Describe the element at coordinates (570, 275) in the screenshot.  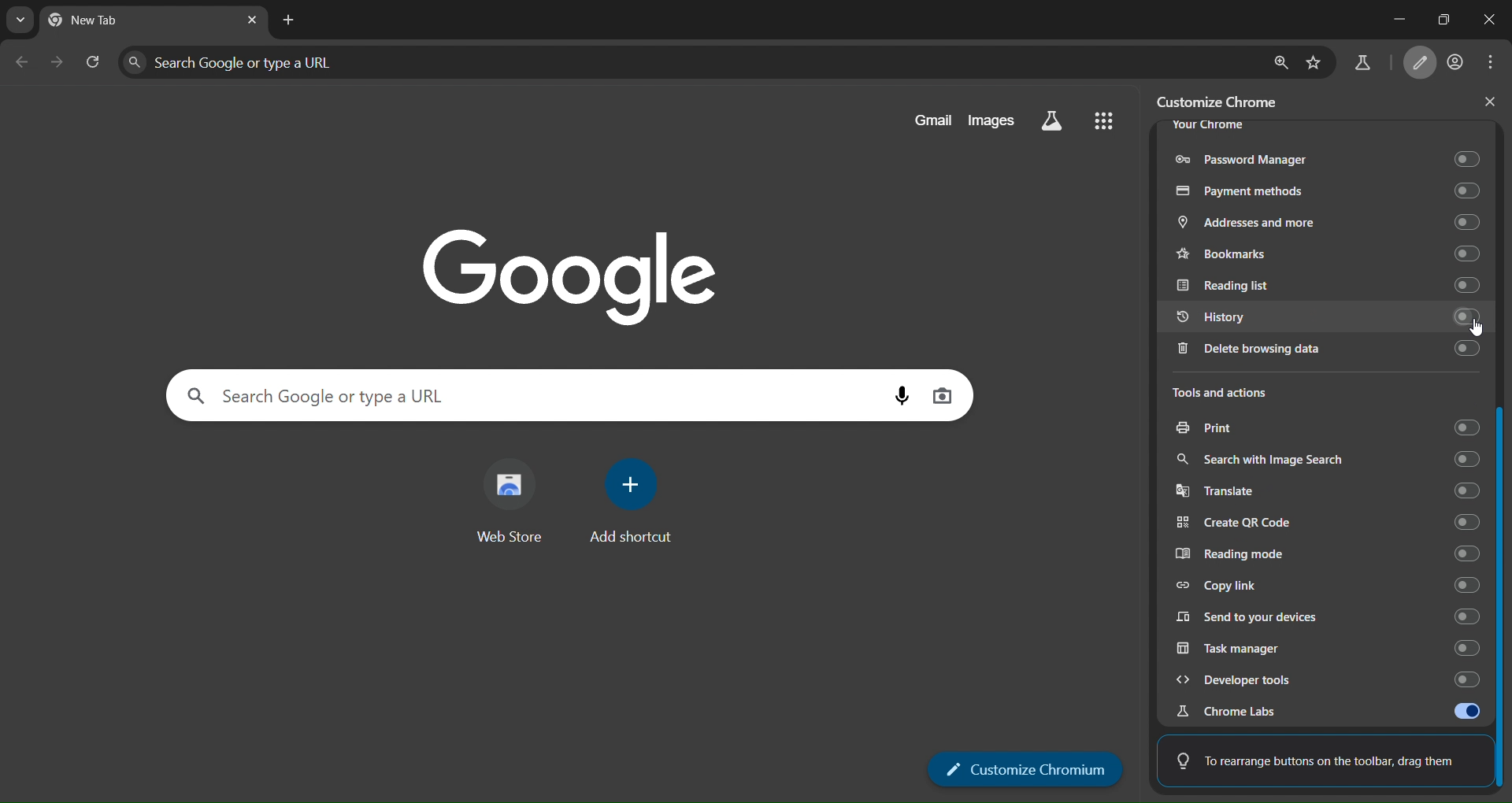
I see `Google logo` at that location.